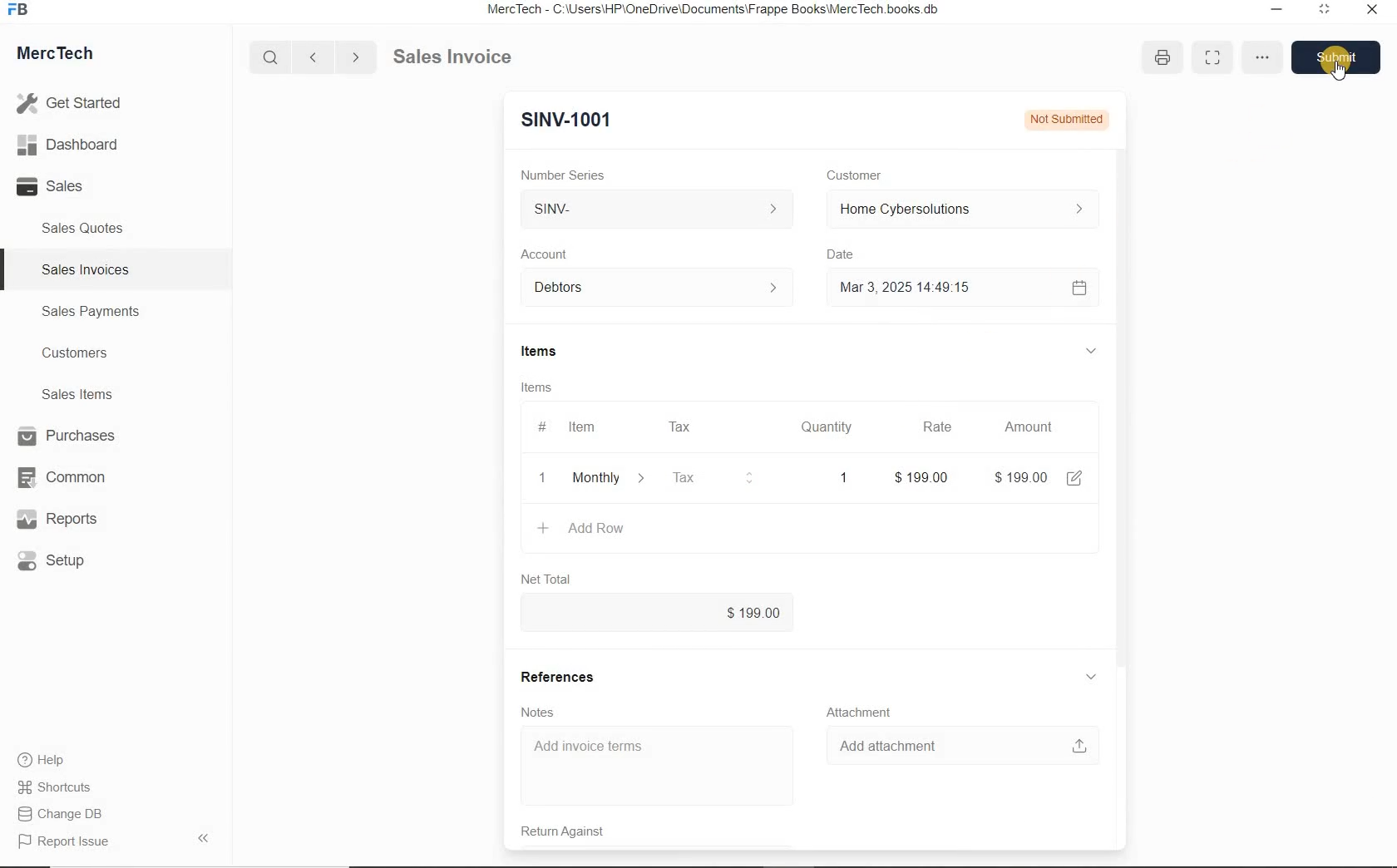 The height and width of the screenshot is (868, 1397). I want to click on Rate, so click(935, 428).